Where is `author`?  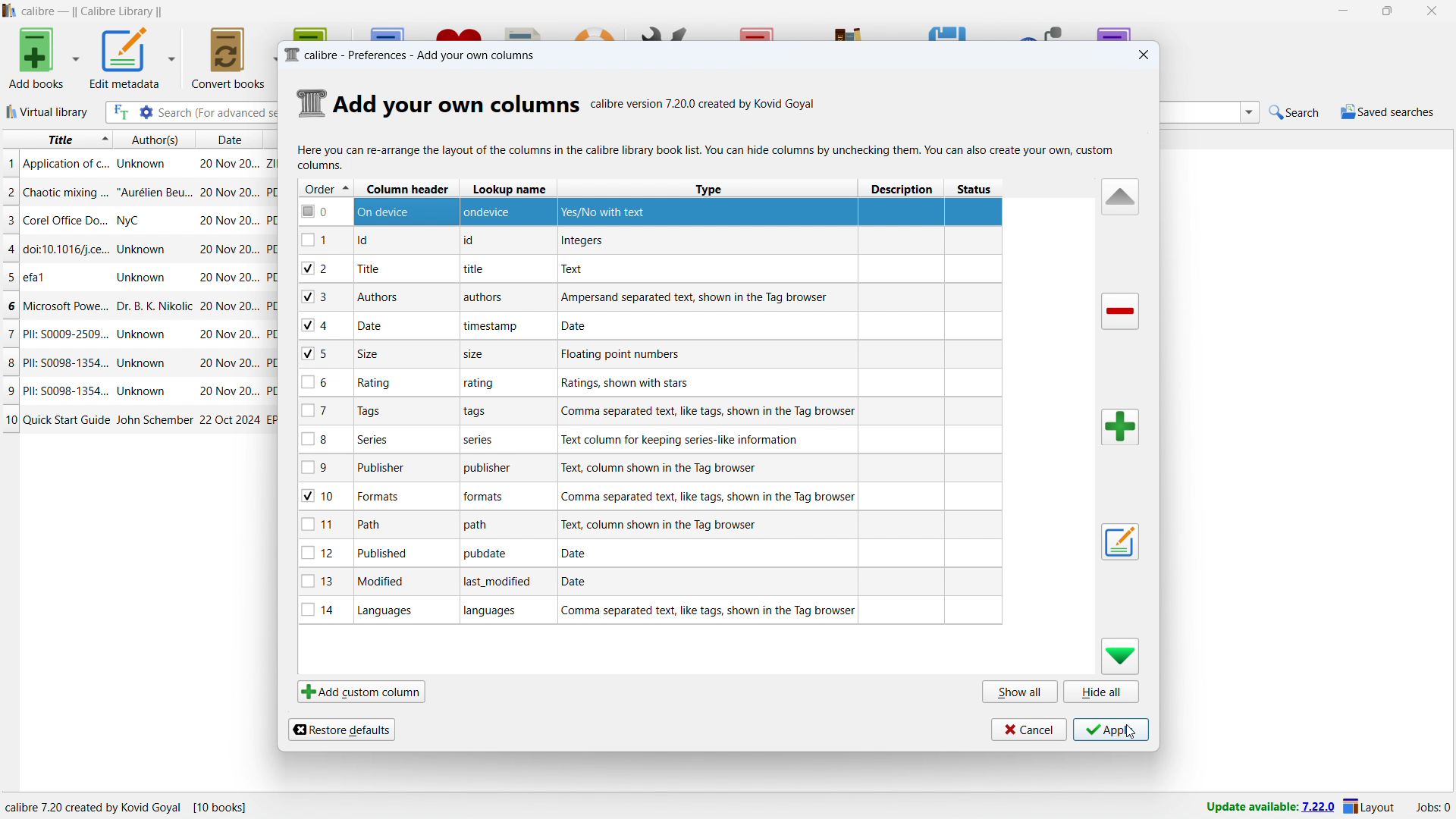 author is located at coordinates (143, 391).